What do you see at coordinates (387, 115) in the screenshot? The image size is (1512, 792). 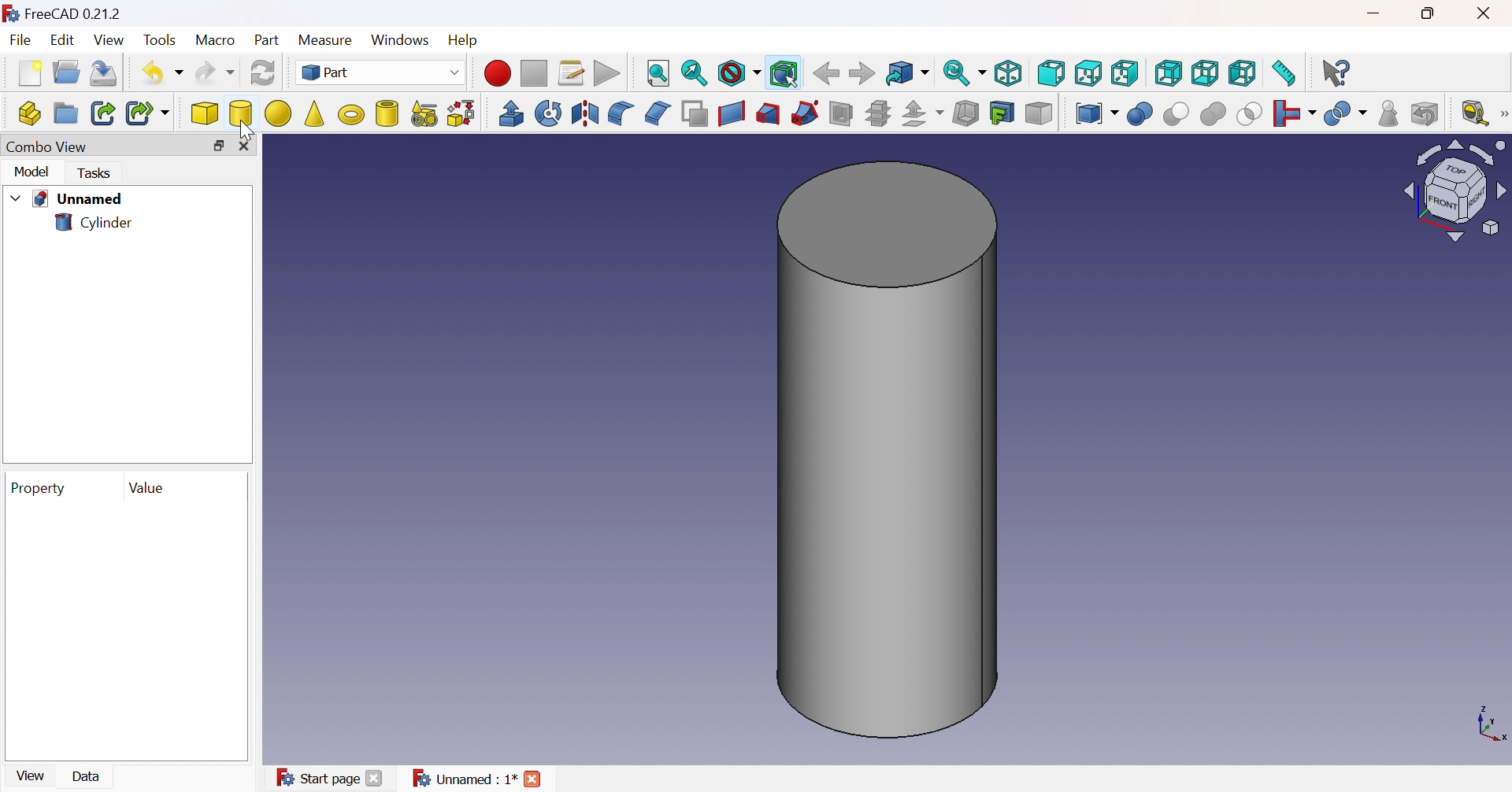 I see `cylinder` at bounding box center [387, 115].